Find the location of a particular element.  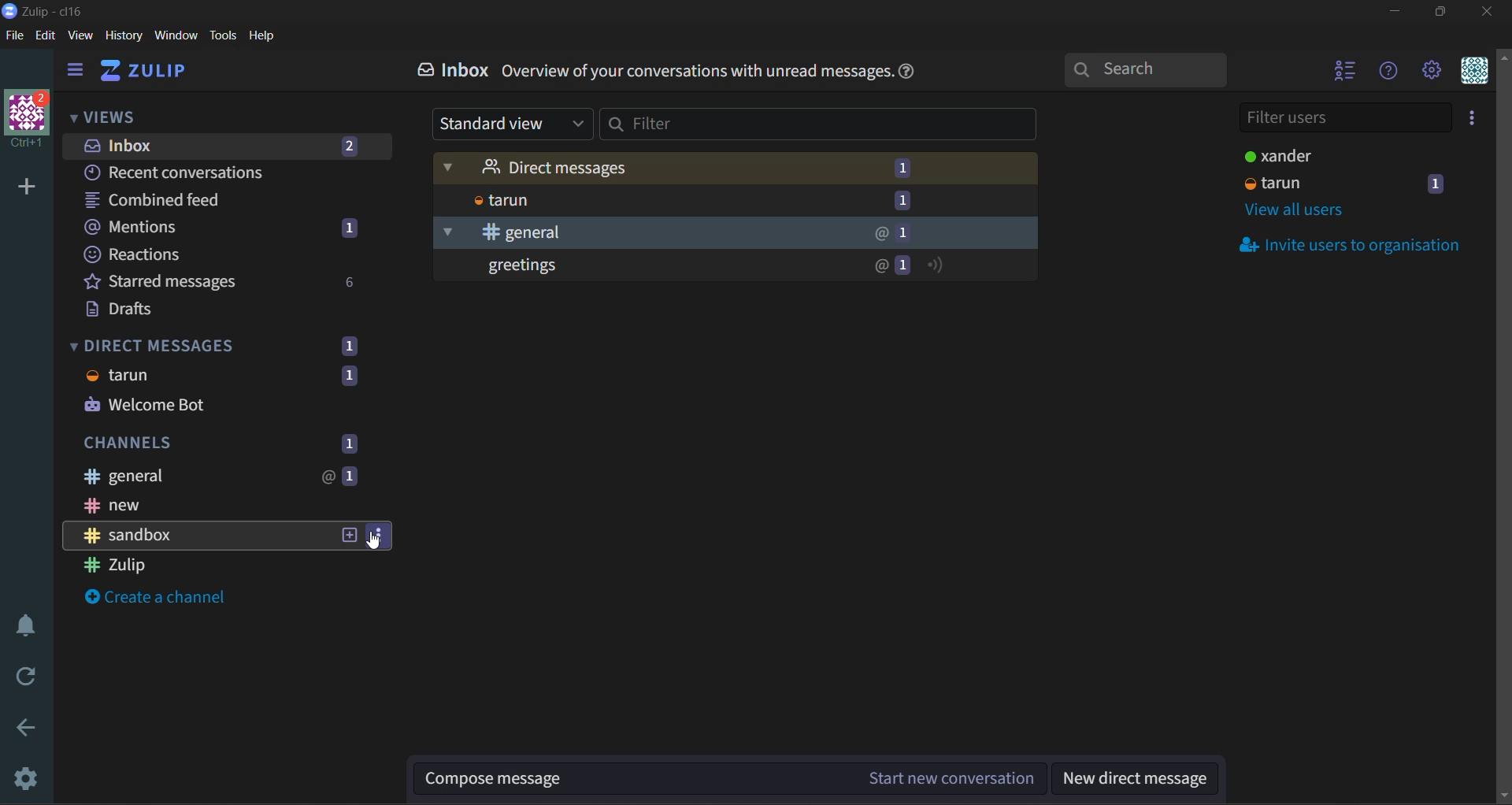

Cursor is located at coordinates (377, 544).